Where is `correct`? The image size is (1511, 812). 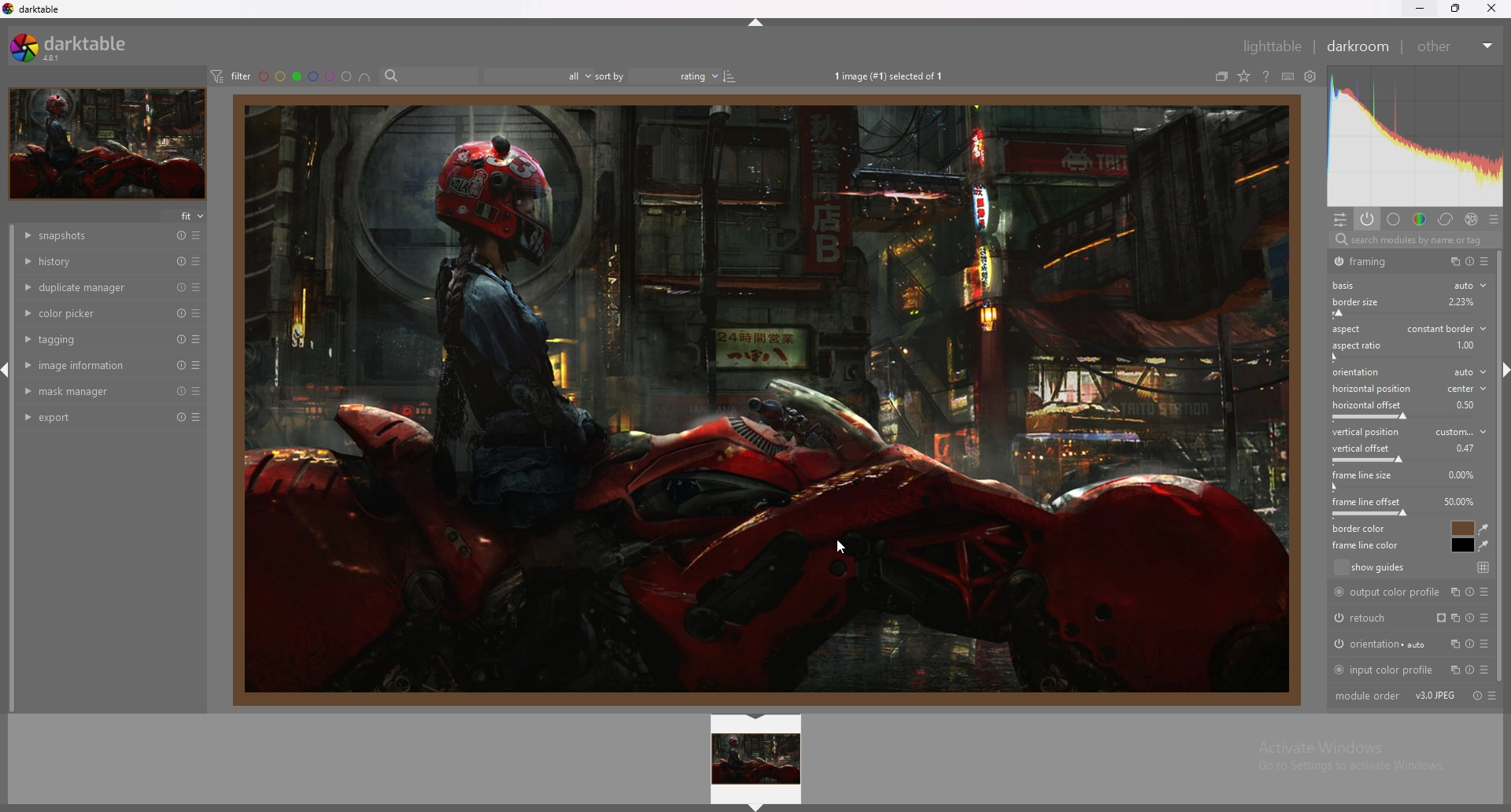
correct is located at coordinates (1444, 220).